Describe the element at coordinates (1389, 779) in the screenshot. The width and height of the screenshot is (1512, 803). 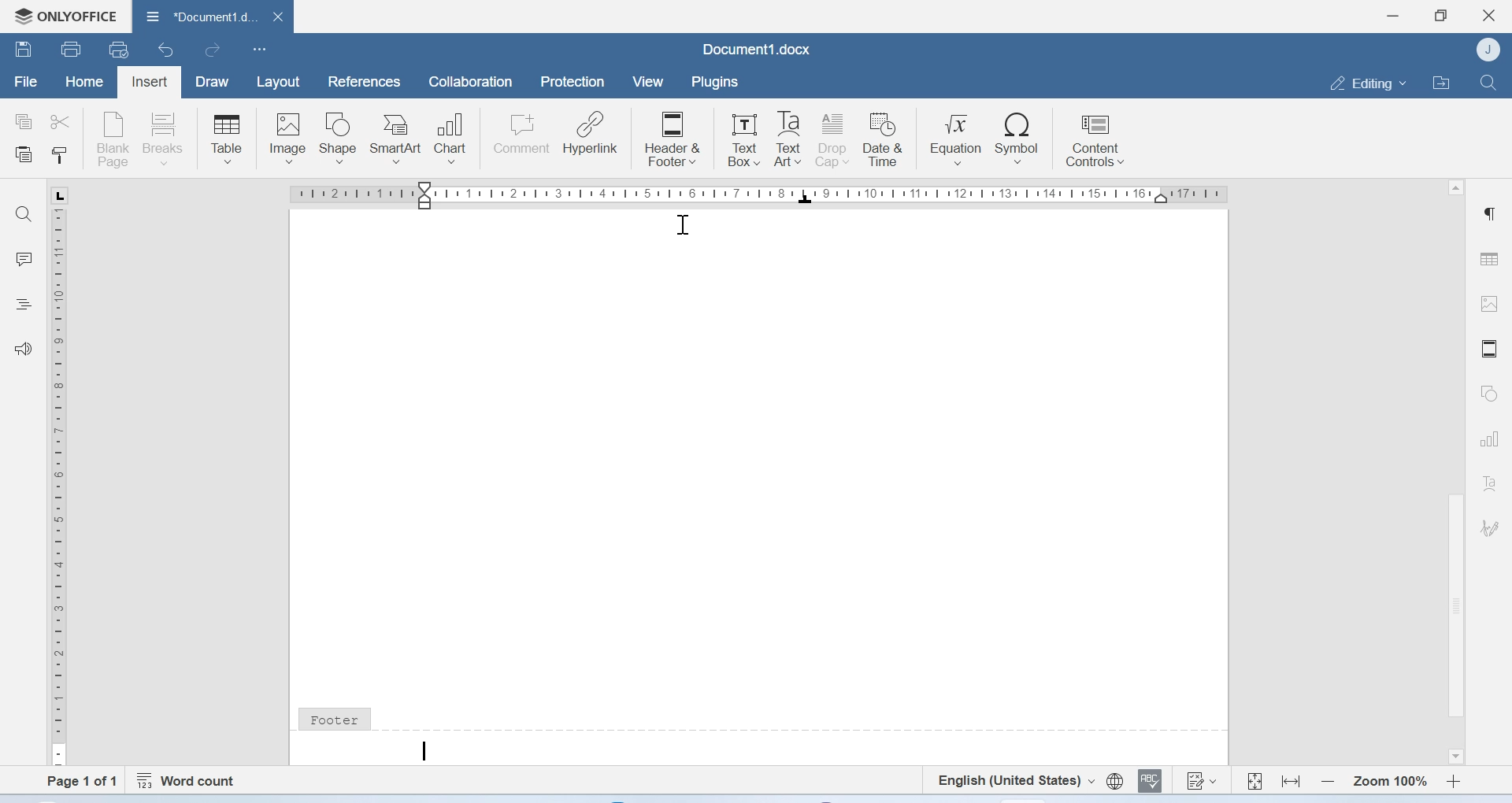
I see `Zoom` at that location.